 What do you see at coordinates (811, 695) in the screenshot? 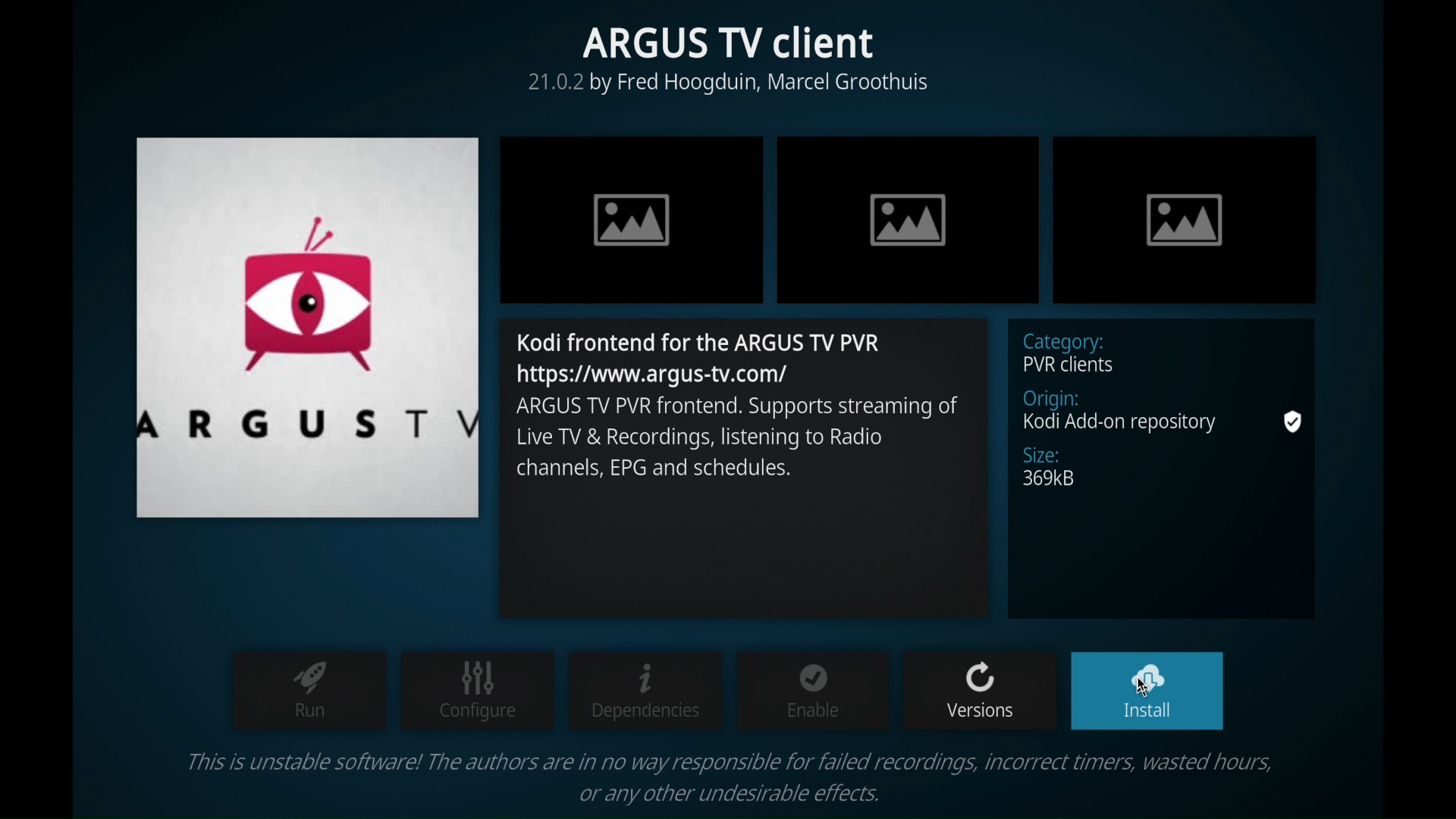
I see `enable` at bounding box center [811, 695].